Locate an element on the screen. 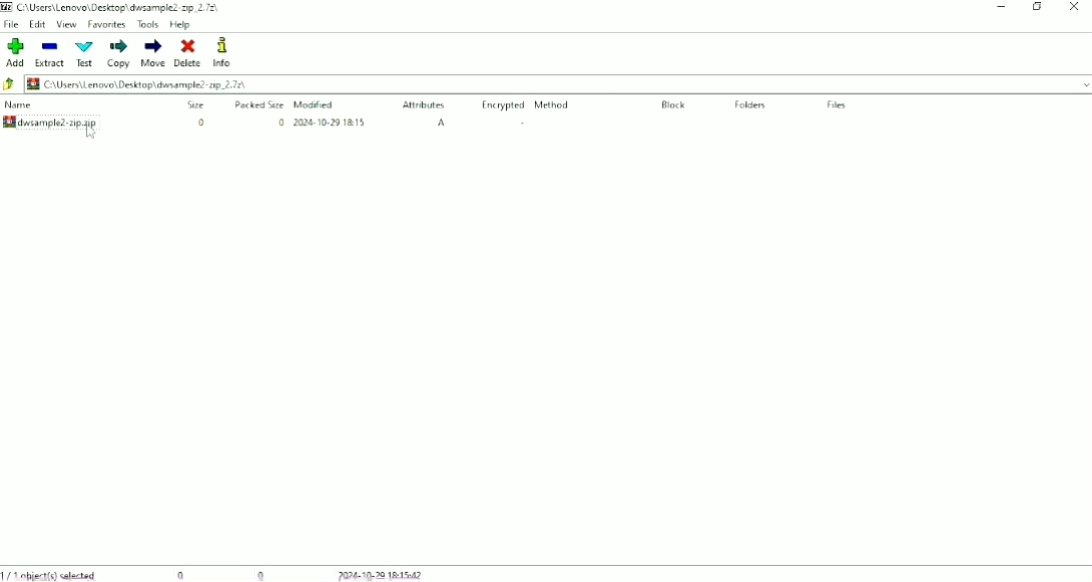 This screenshot has width=1092, height=582. 1/1 object(s) selected is located at coordinates (51, 574).